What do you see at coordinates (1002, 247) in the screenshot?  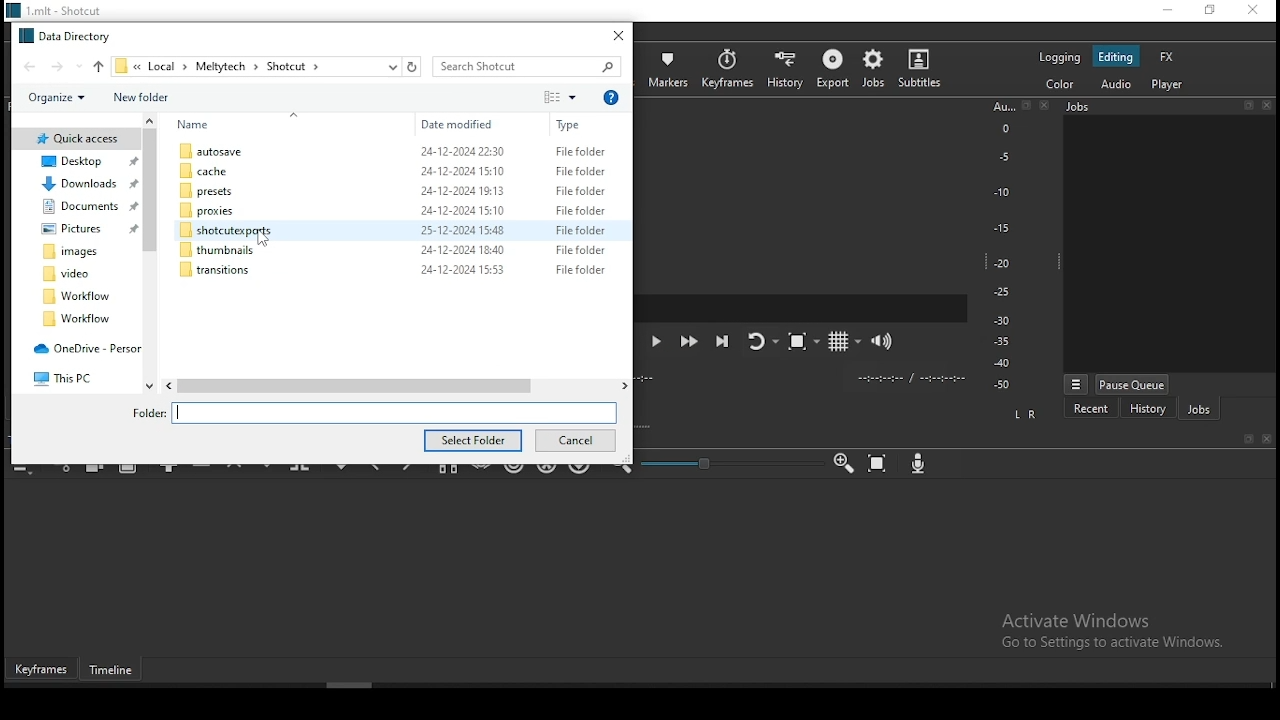 I see `scale` at bounding box center [1002, 247].